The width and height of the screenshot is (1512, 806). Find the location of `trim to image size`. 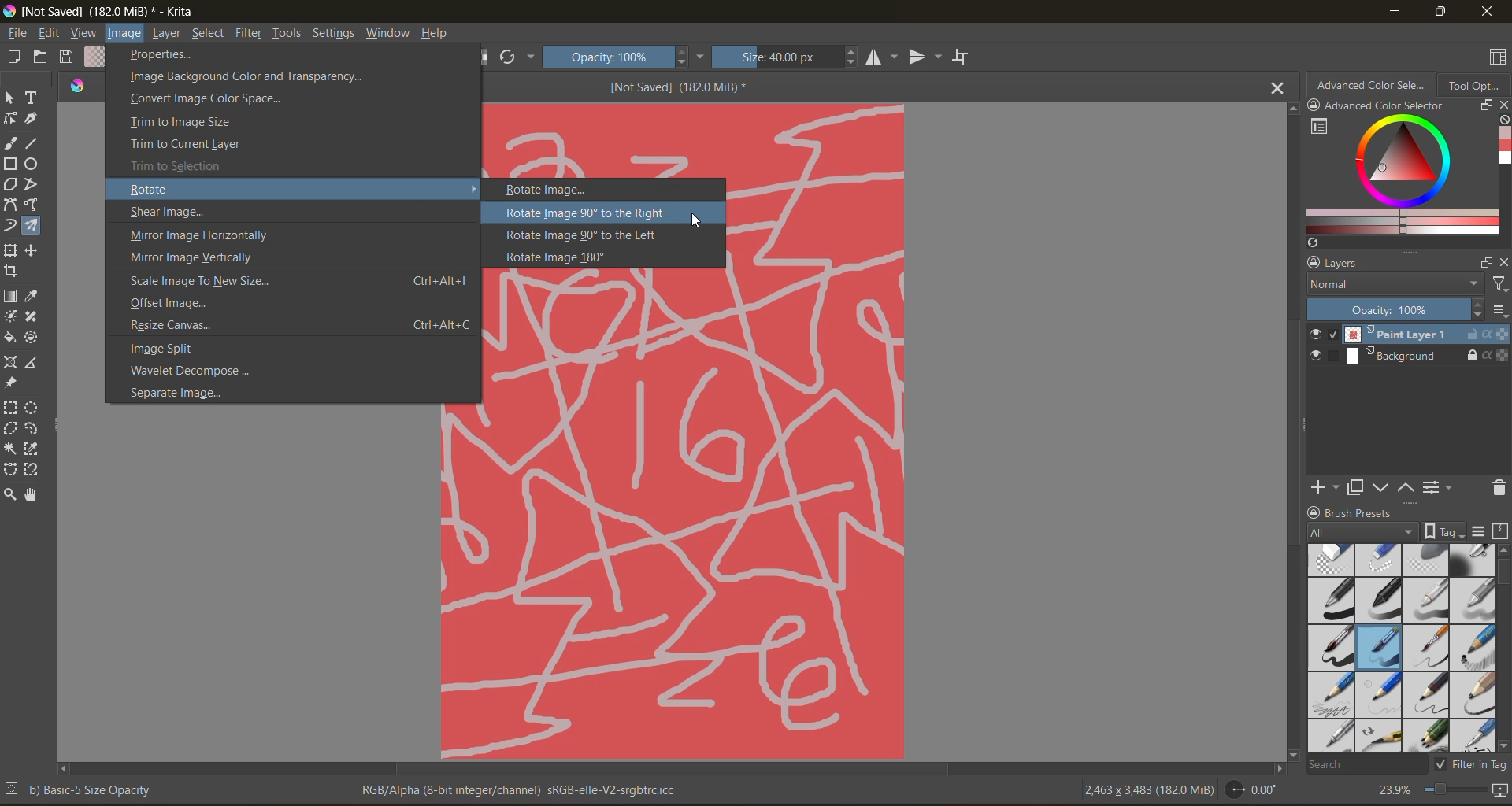

trim to image size is located at coordinates (182, 124).